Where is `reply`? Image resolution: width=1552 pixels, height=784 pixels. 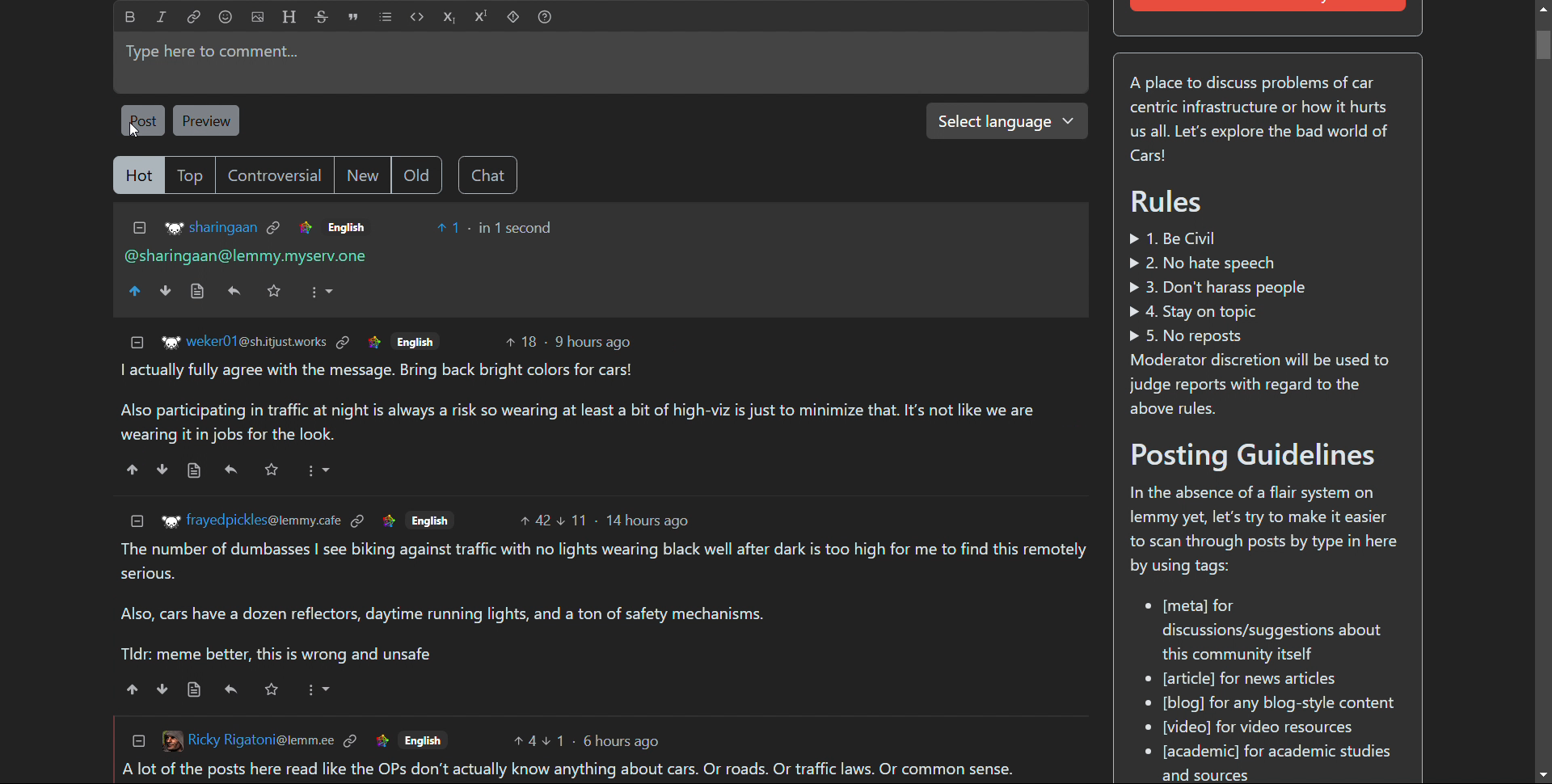 reply is located at coordinates (231, 470).